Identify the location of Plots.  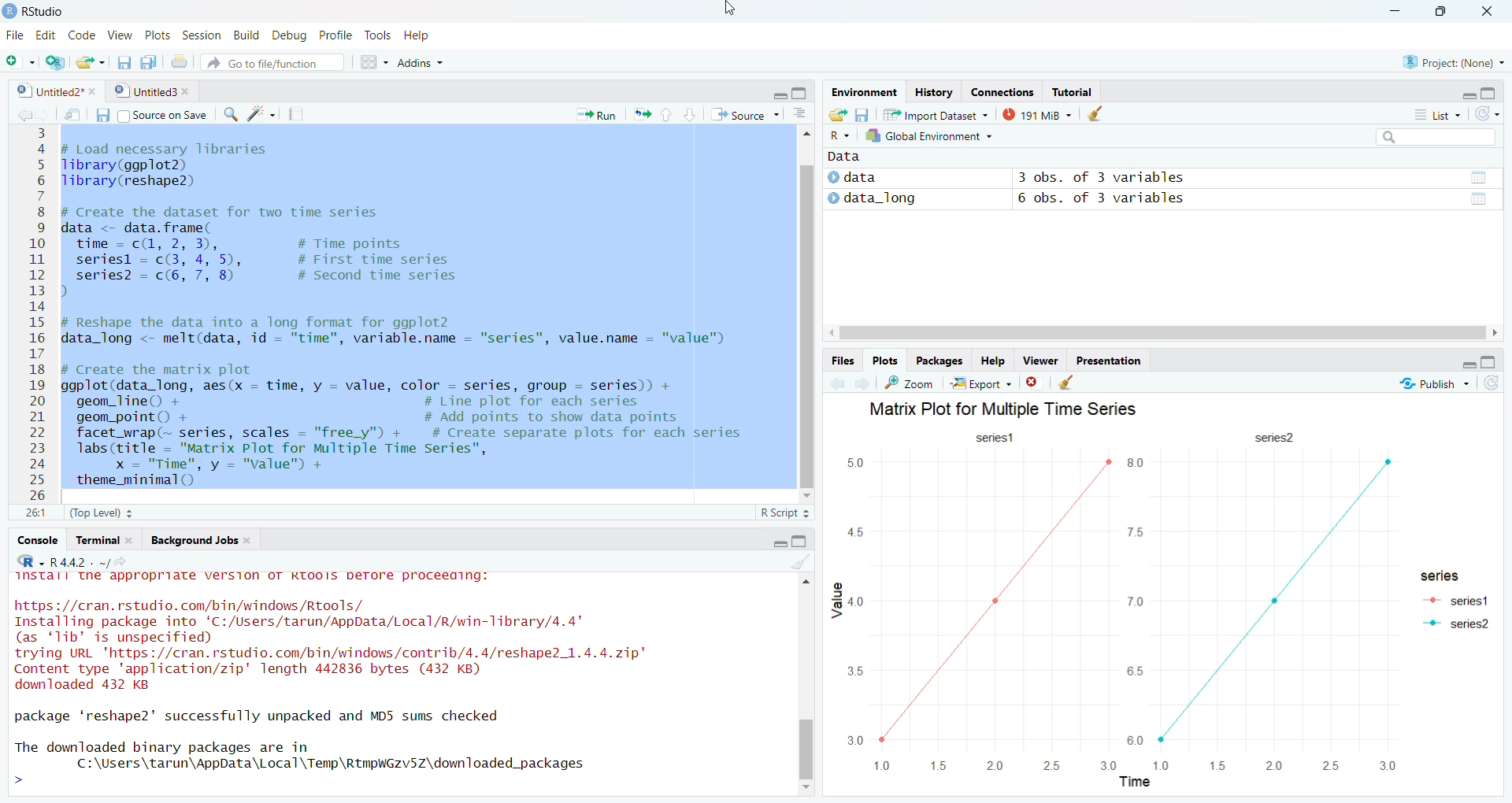
(159, 35).